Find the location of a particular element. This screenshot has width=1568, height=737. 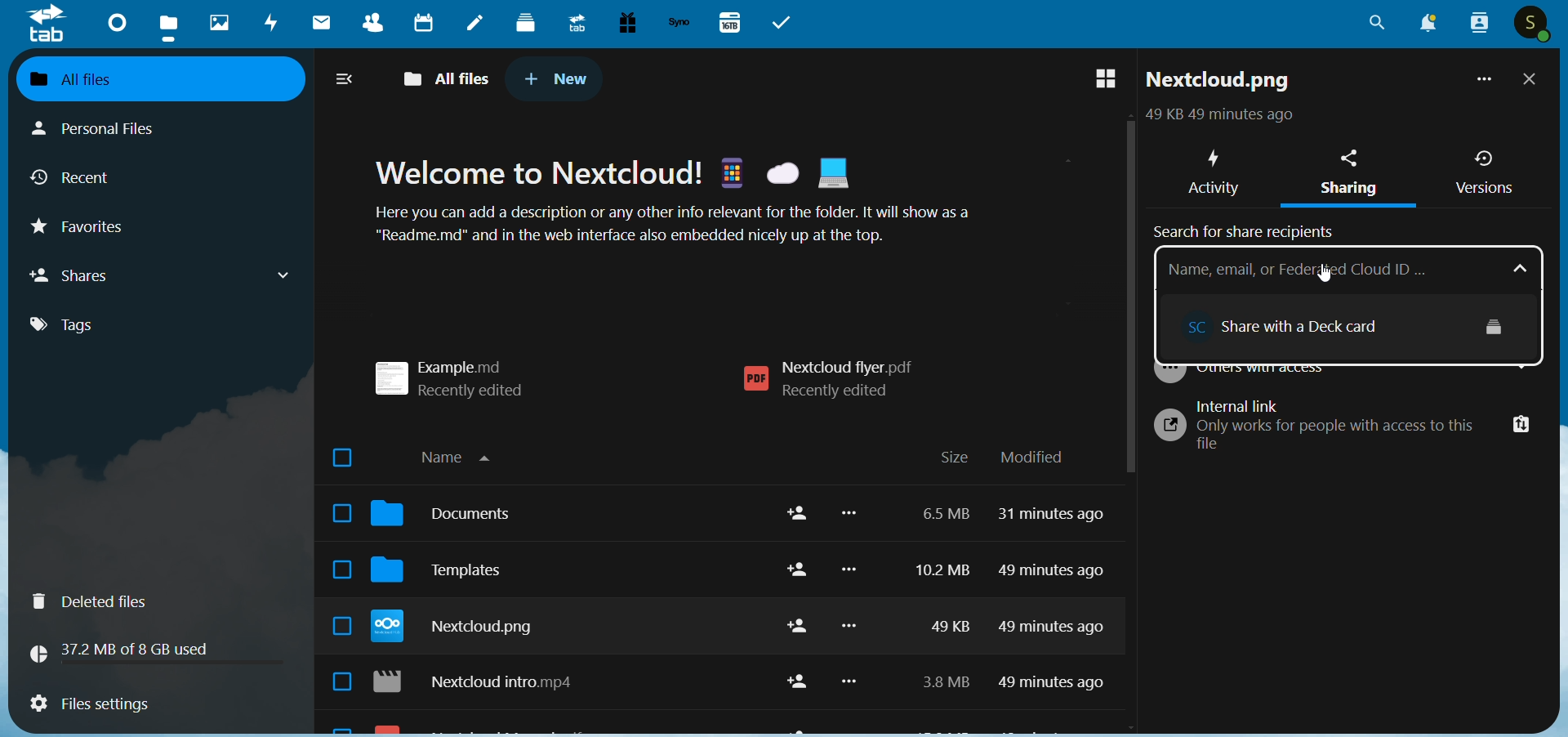

share with a deck card is located at coordinates (1312, 323).